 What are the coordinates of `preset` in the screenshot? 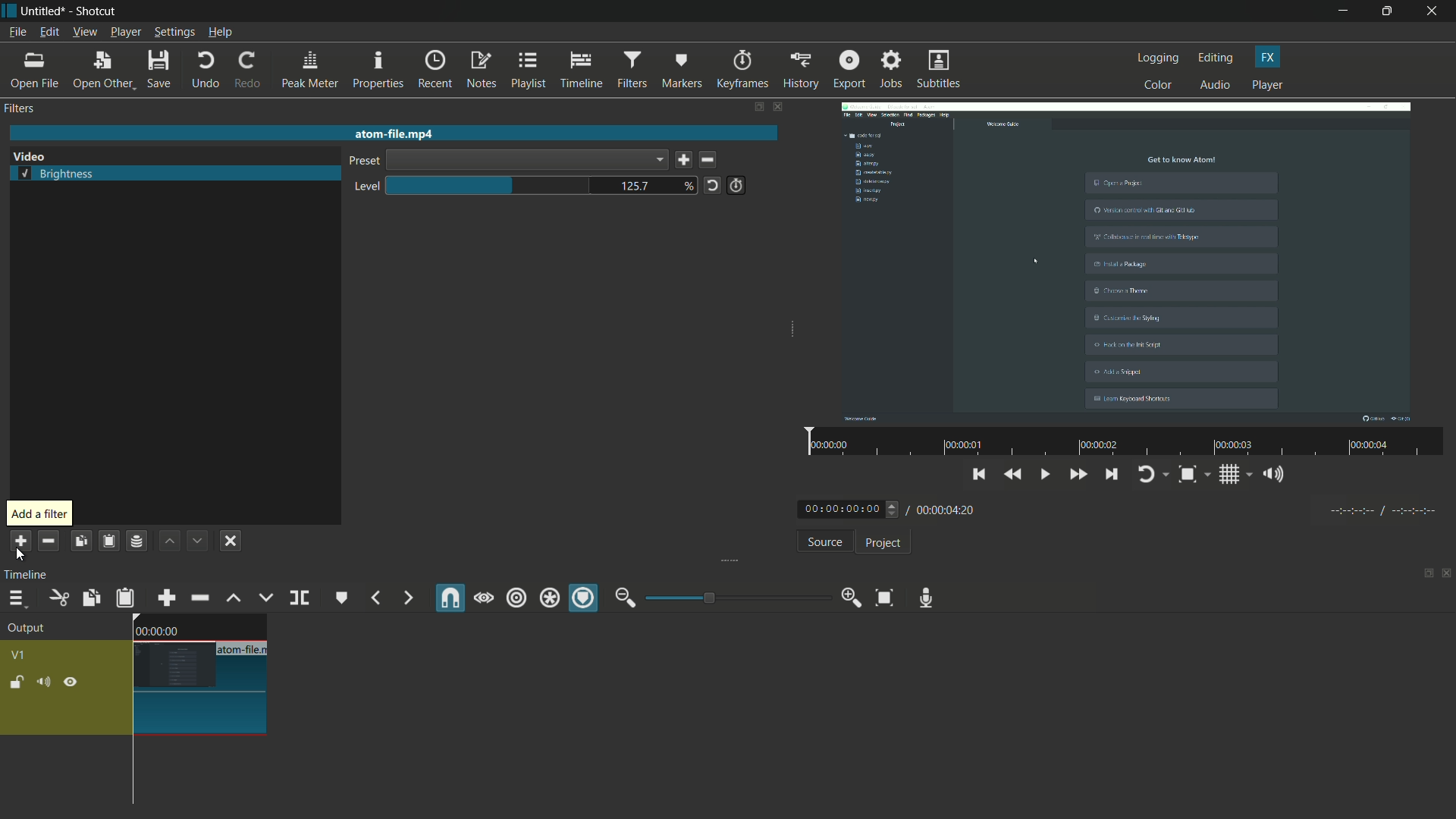 It's located at (362, 162).